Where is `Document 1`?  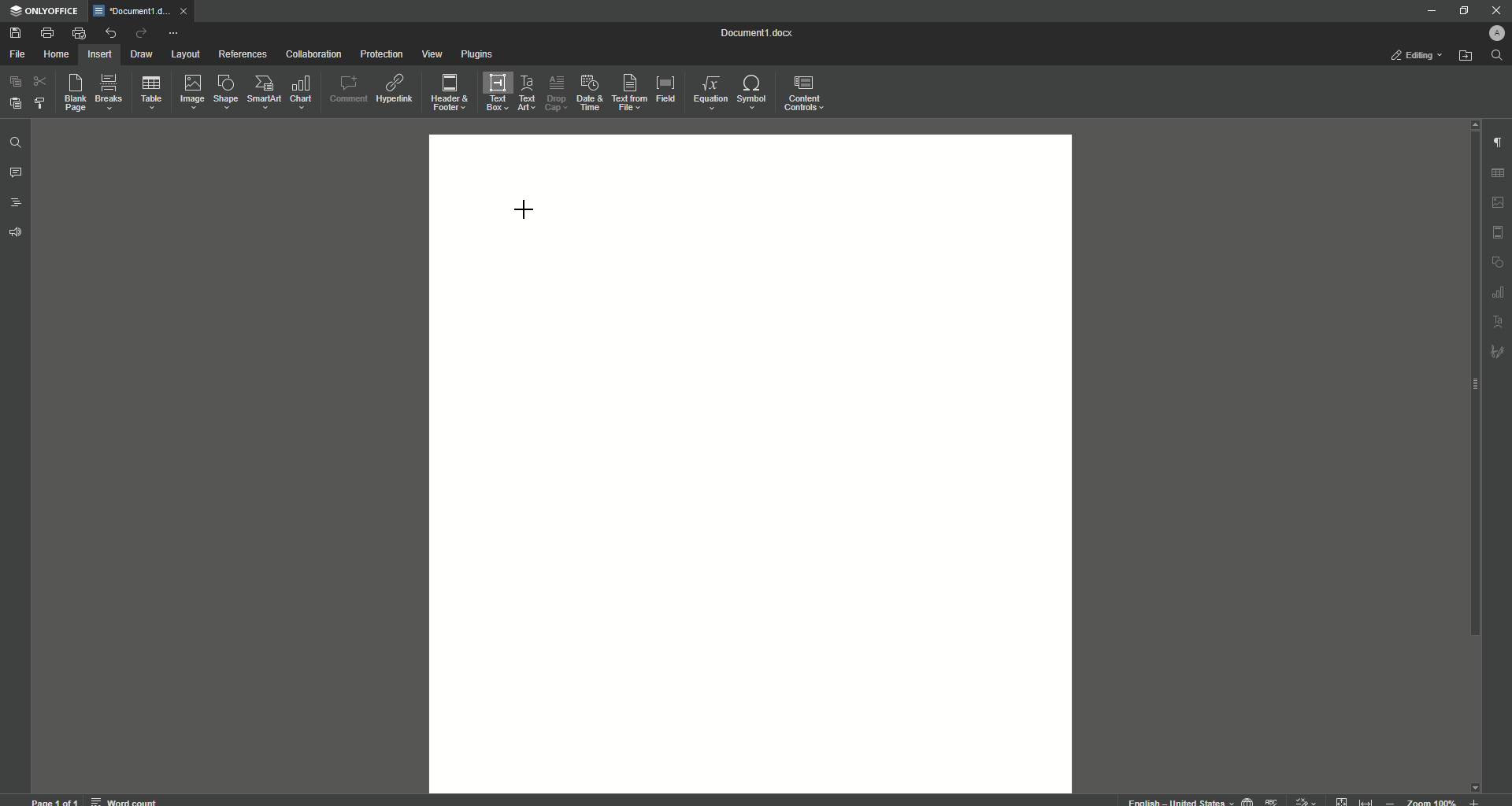 Document 1 is located at coordinates (766, 35).